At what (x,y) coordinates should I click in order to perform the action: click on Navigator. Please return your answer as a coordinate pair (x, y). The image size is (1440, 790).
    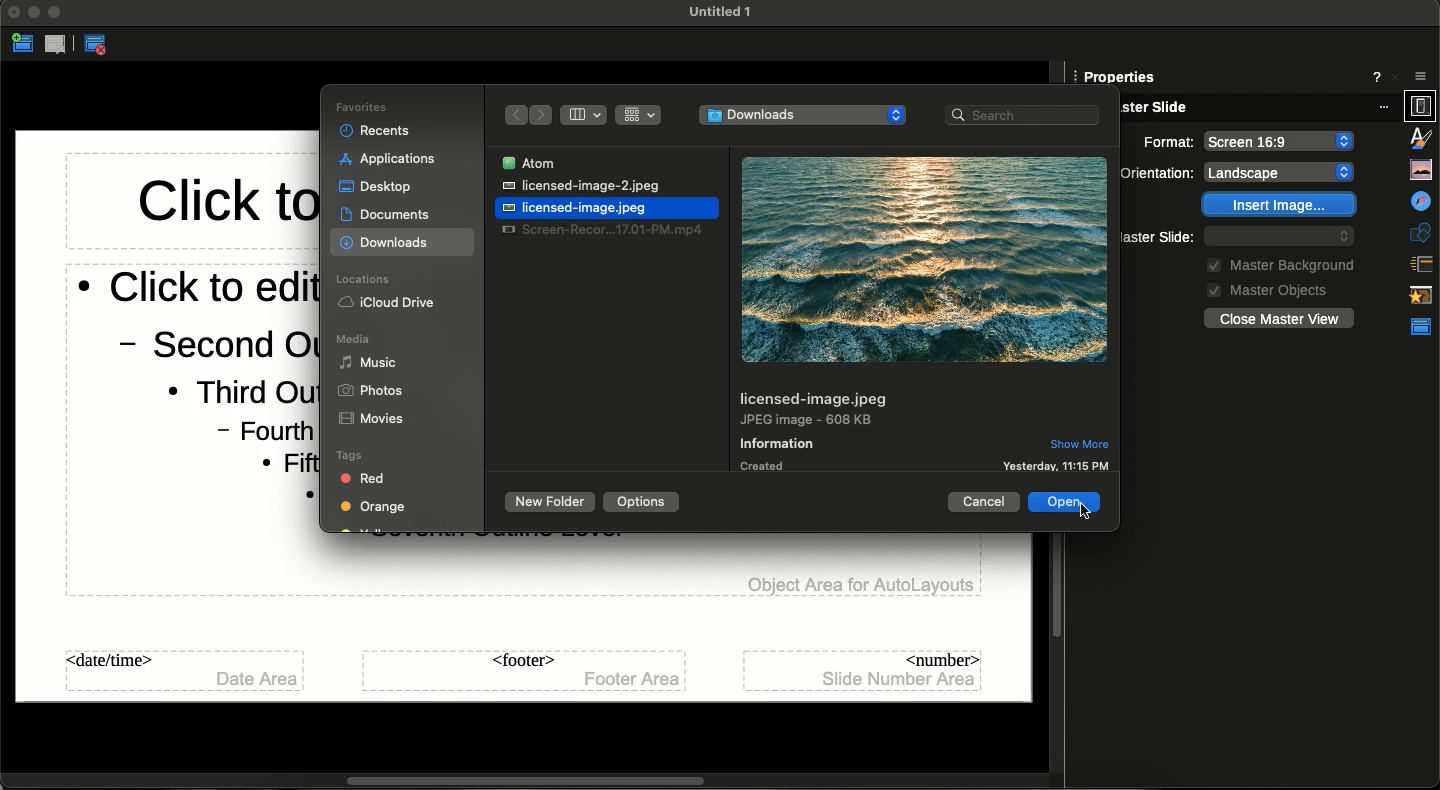
    Looking at the image, I should click on (1420, 167).